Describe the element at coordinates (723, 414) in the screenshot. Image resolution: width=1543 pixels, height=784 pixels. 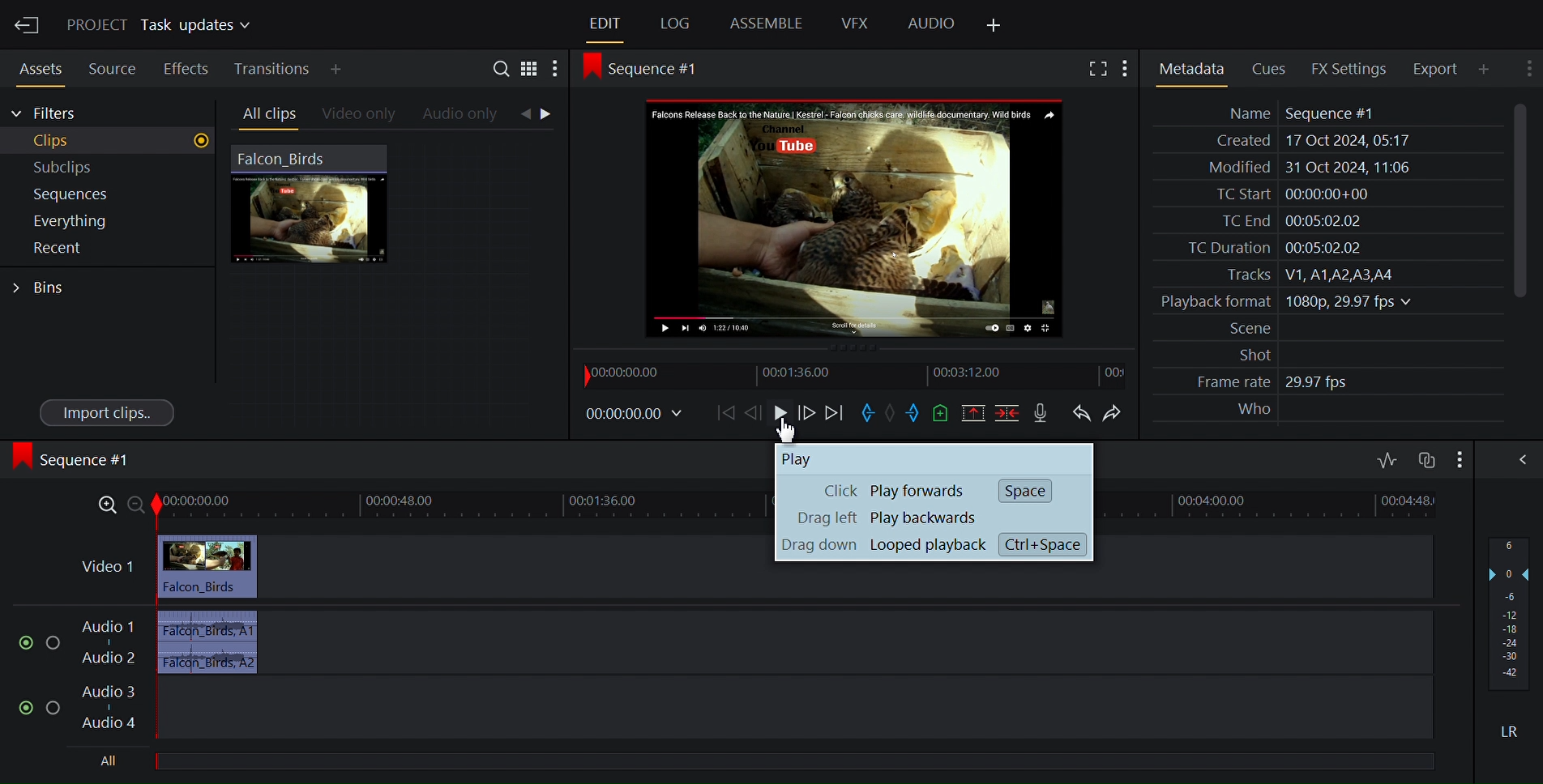
I see `Move backwards` at that location.